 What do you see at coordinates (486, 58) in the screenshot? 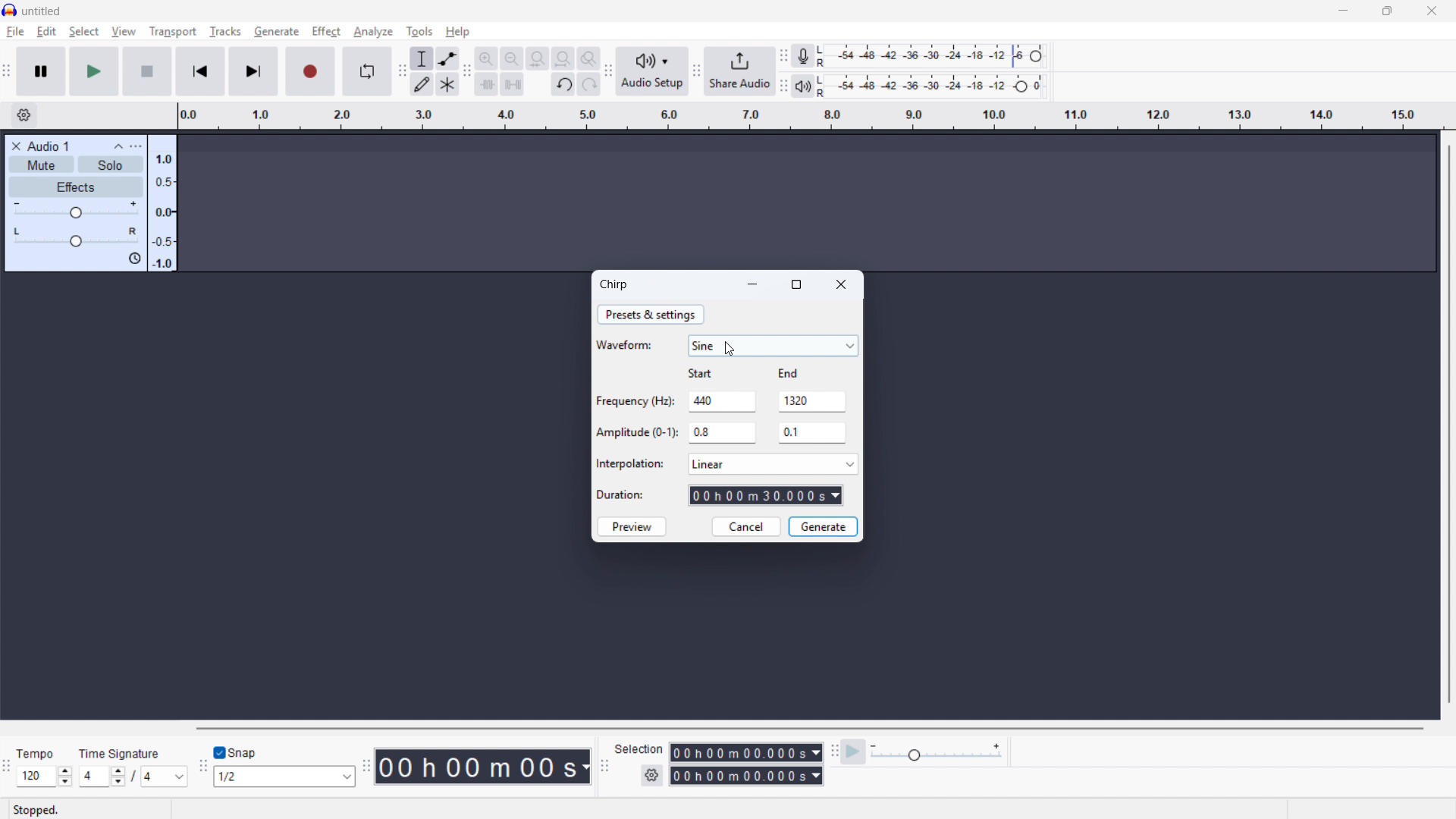
I see `Zoom in ` at bounding box center [486, 58].